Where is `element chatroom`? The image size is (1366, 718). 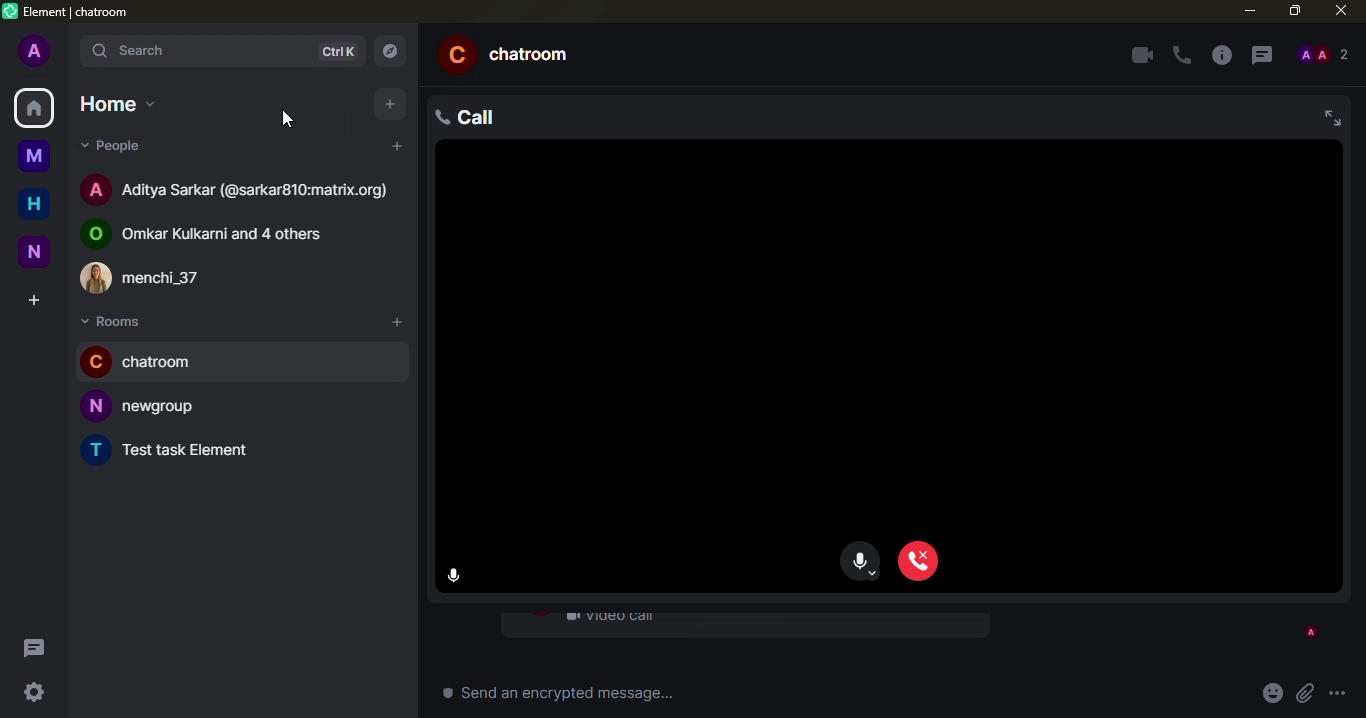 element chatroom is located at coordinates (67, 12).